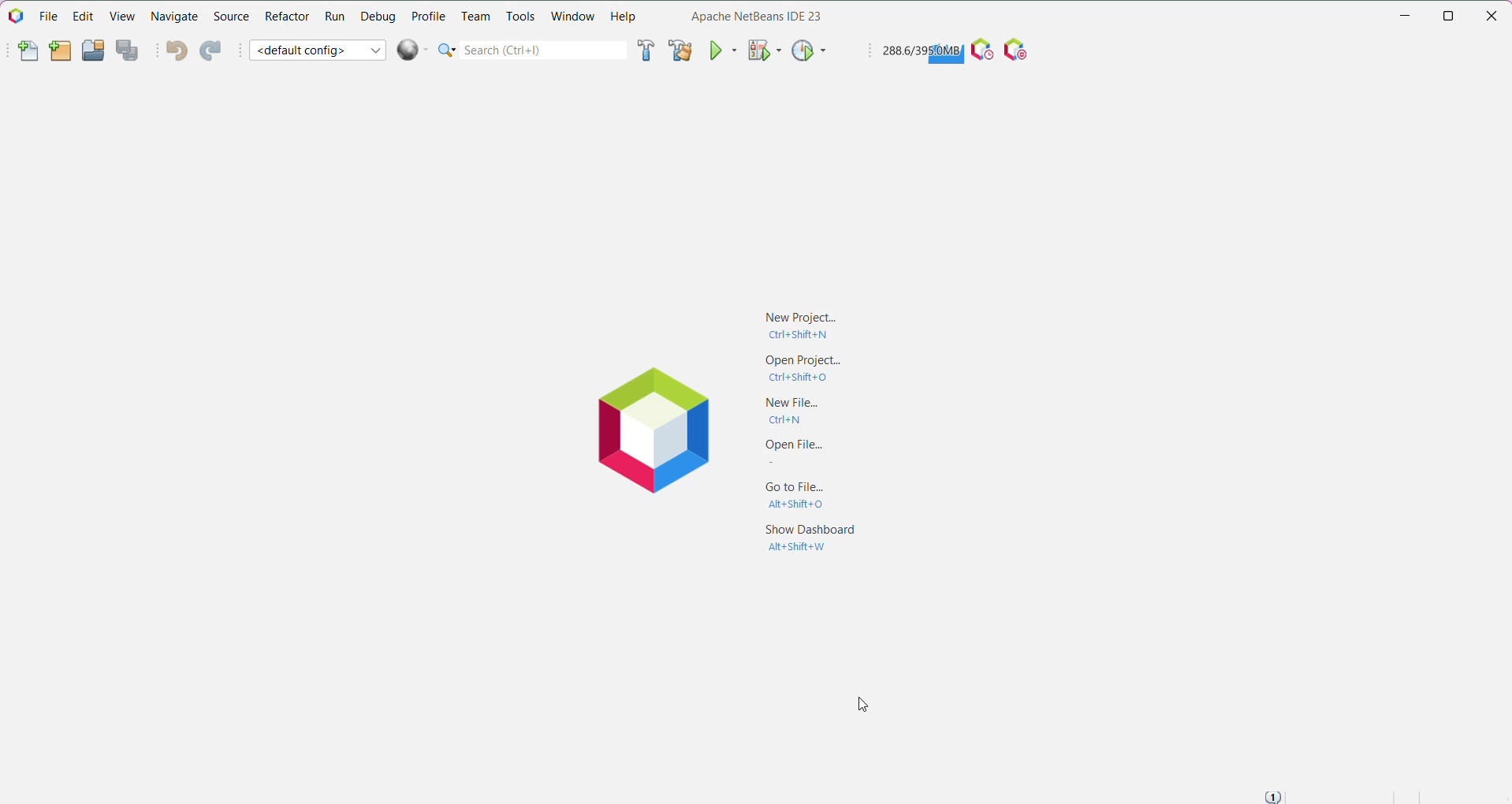  I want to click on Profile, so click(429, 15).